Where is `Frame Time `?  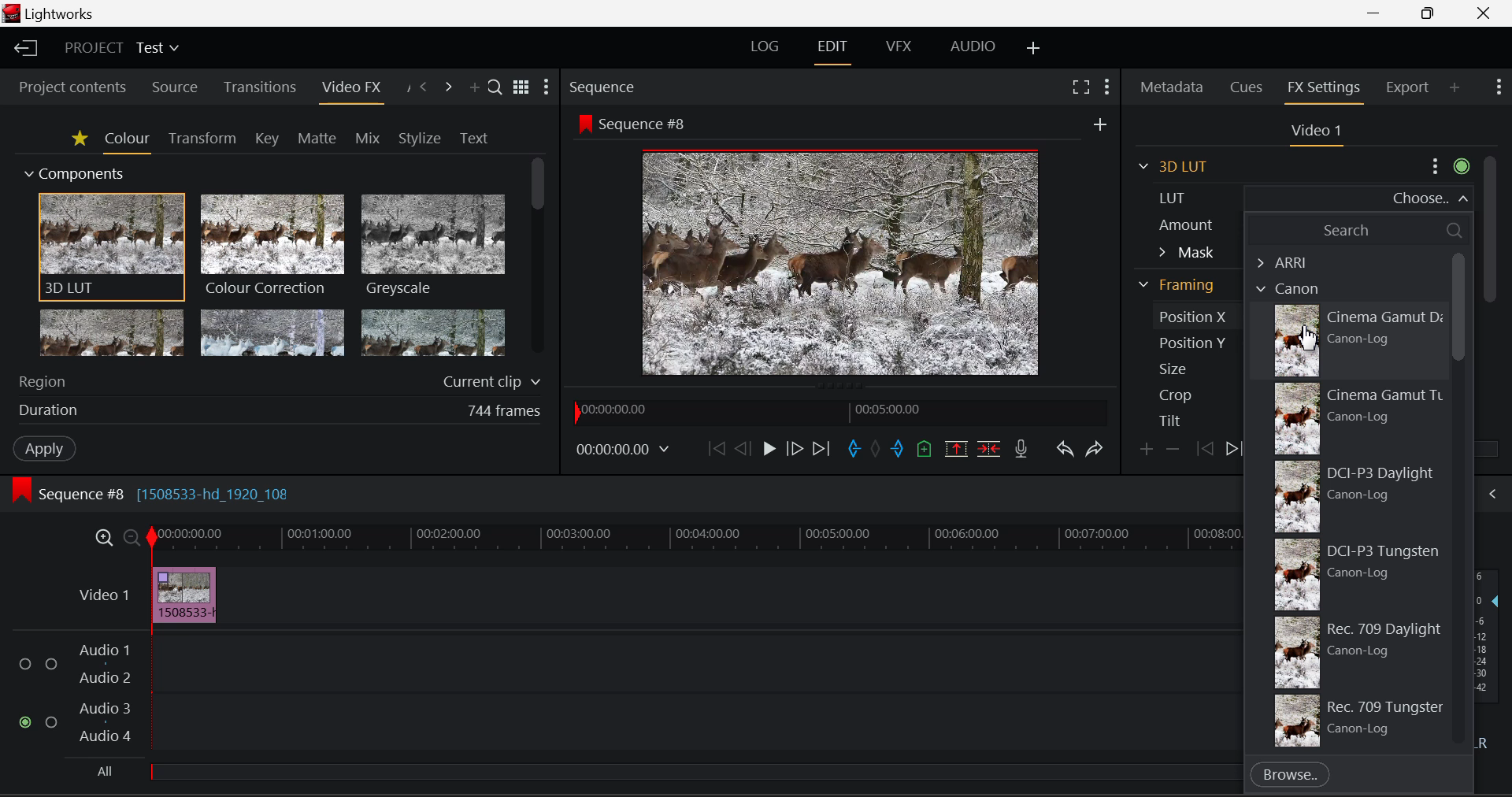
Frame Time  is located at coordinates (622, 453).